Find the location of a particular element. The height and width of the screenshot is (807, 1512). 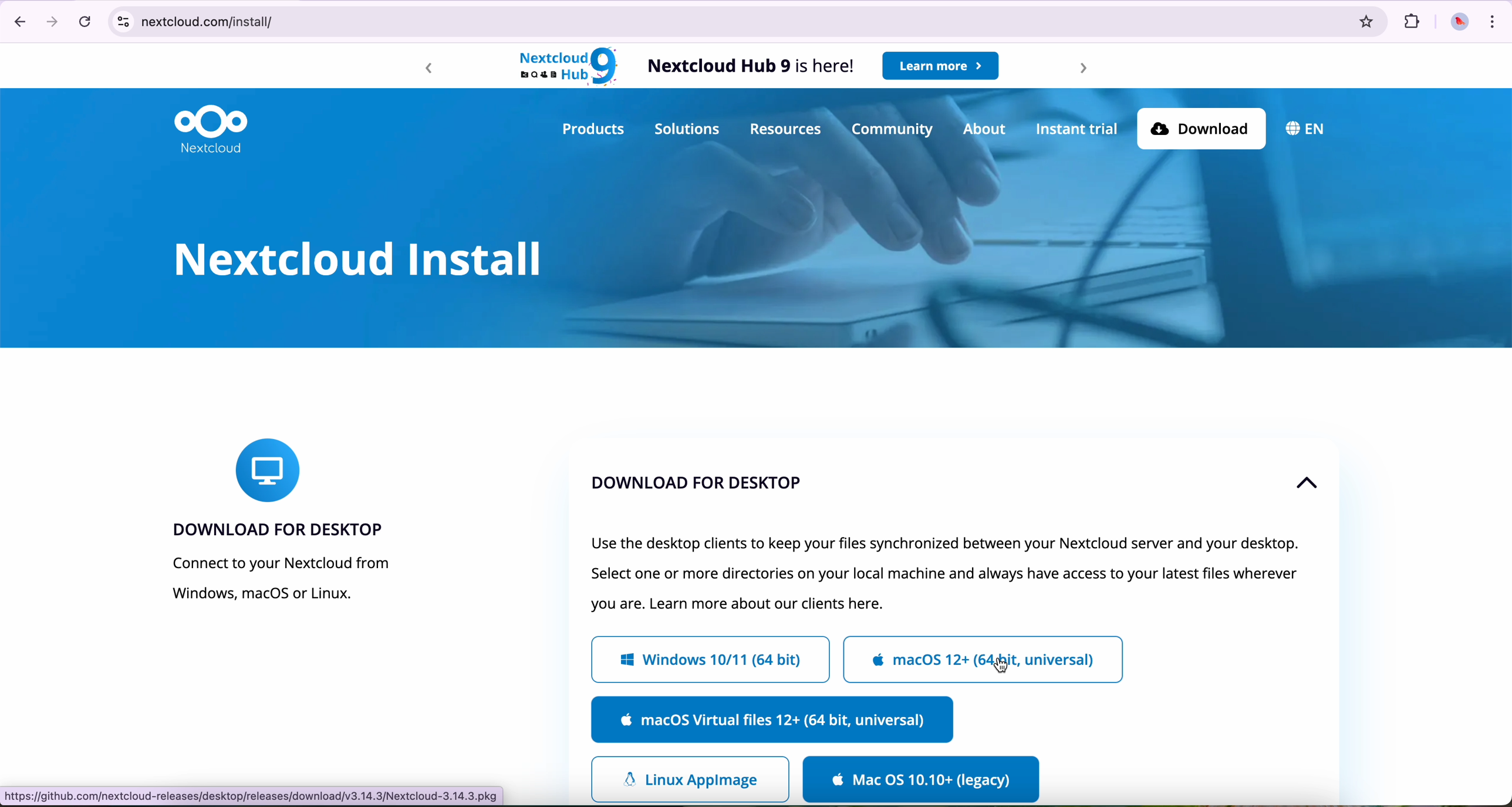

cursor is located at coordinates (1005, 675).